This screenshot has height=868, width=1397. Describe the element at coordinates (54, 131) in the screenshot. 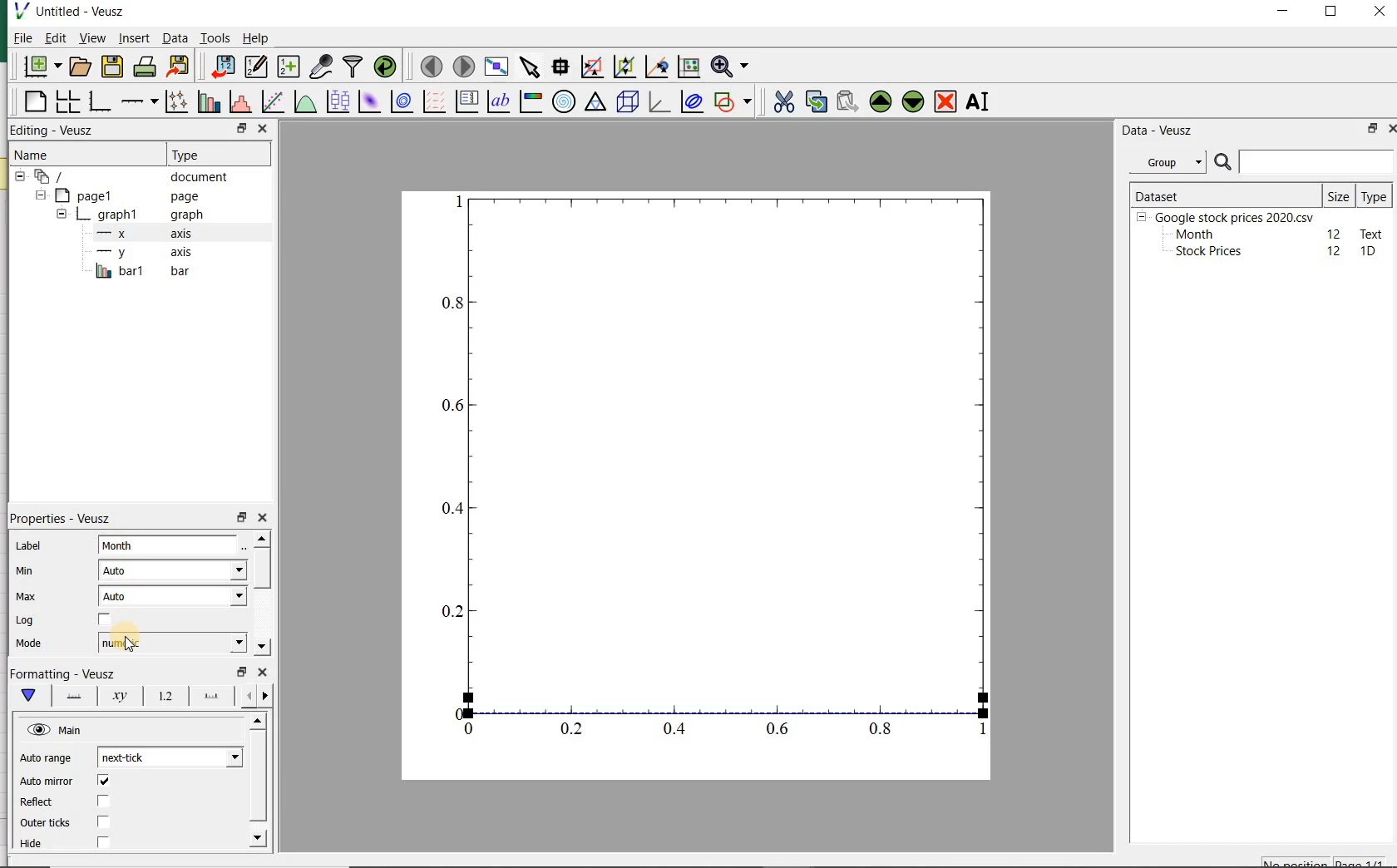

I see `Editing - Veusz` at that location.